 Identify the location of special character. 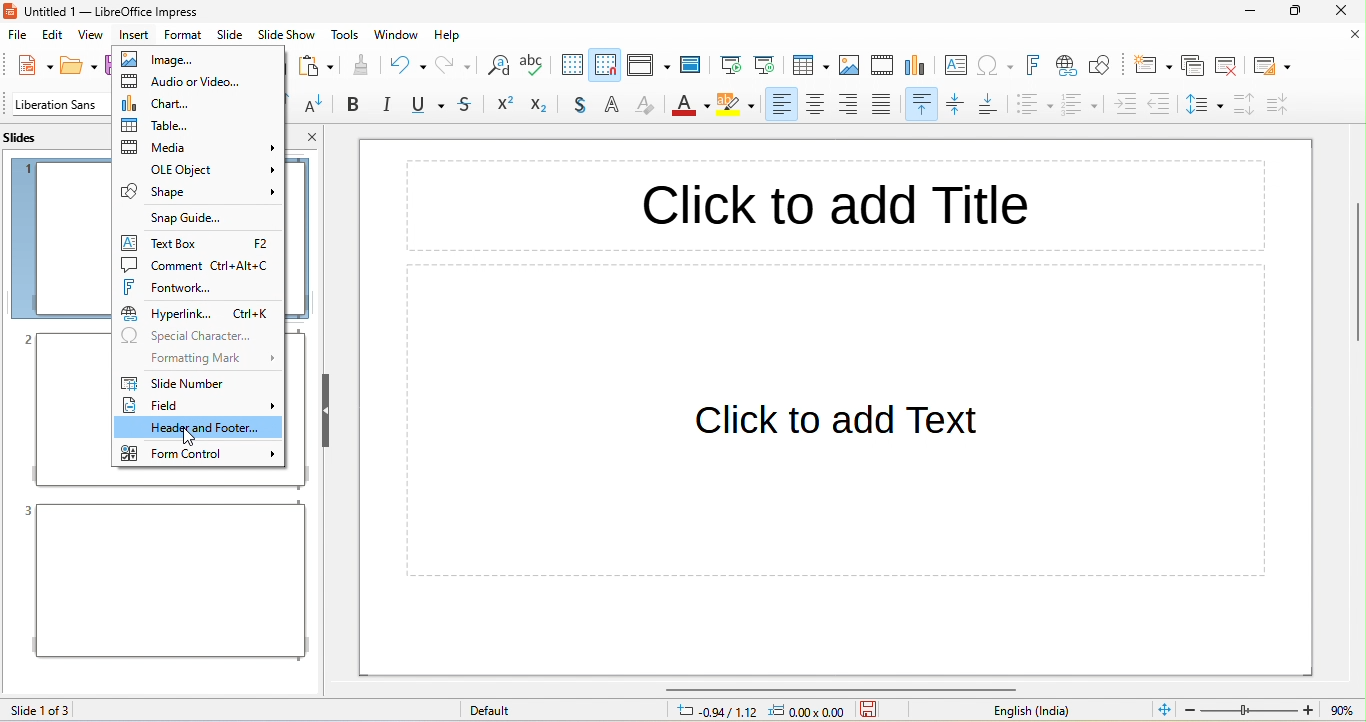
(192, 336).